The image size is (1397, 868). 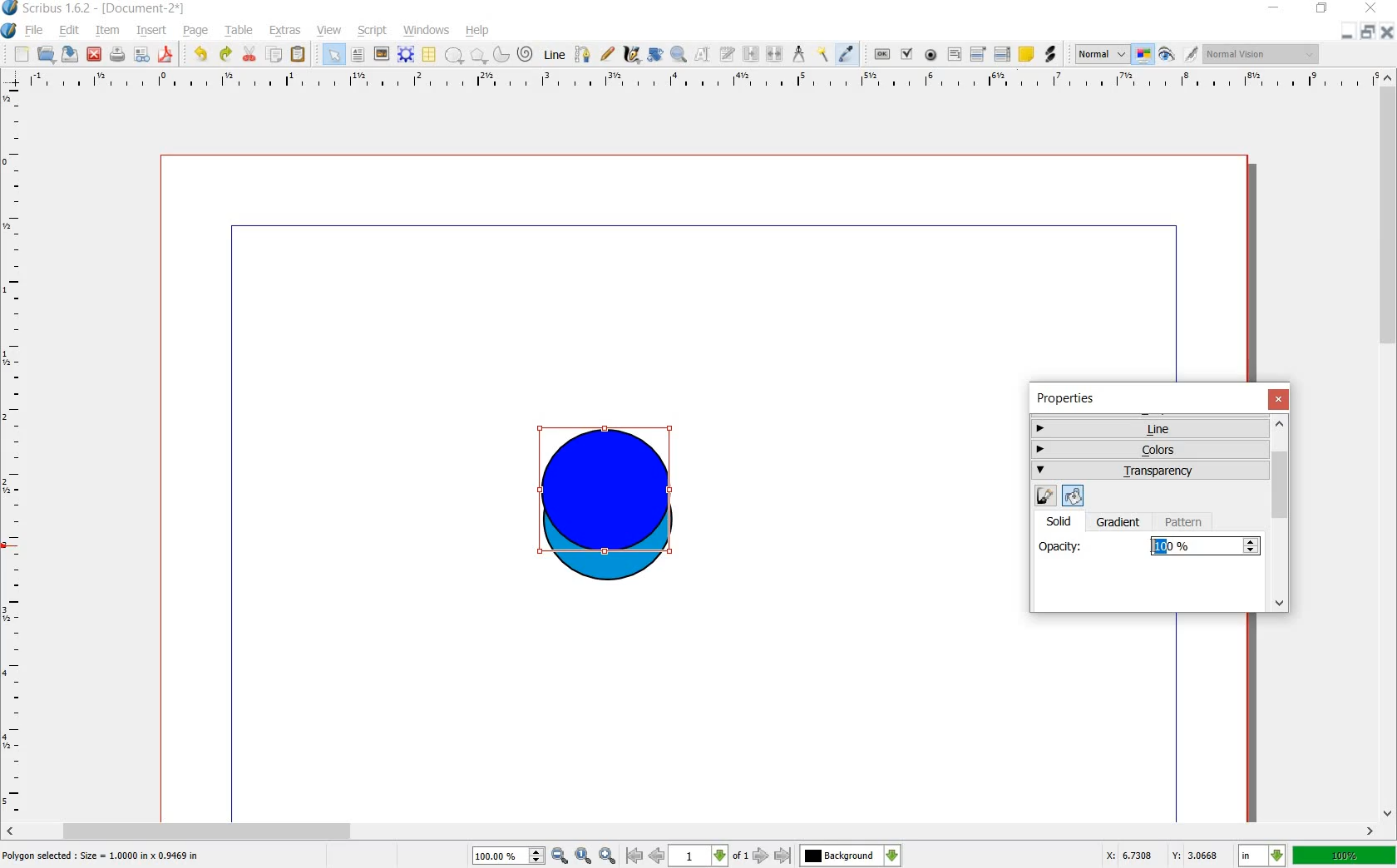 What do you see at coordinates (333, 54) in the screenshot?
I see `select item` at bounding box center [333, 54].